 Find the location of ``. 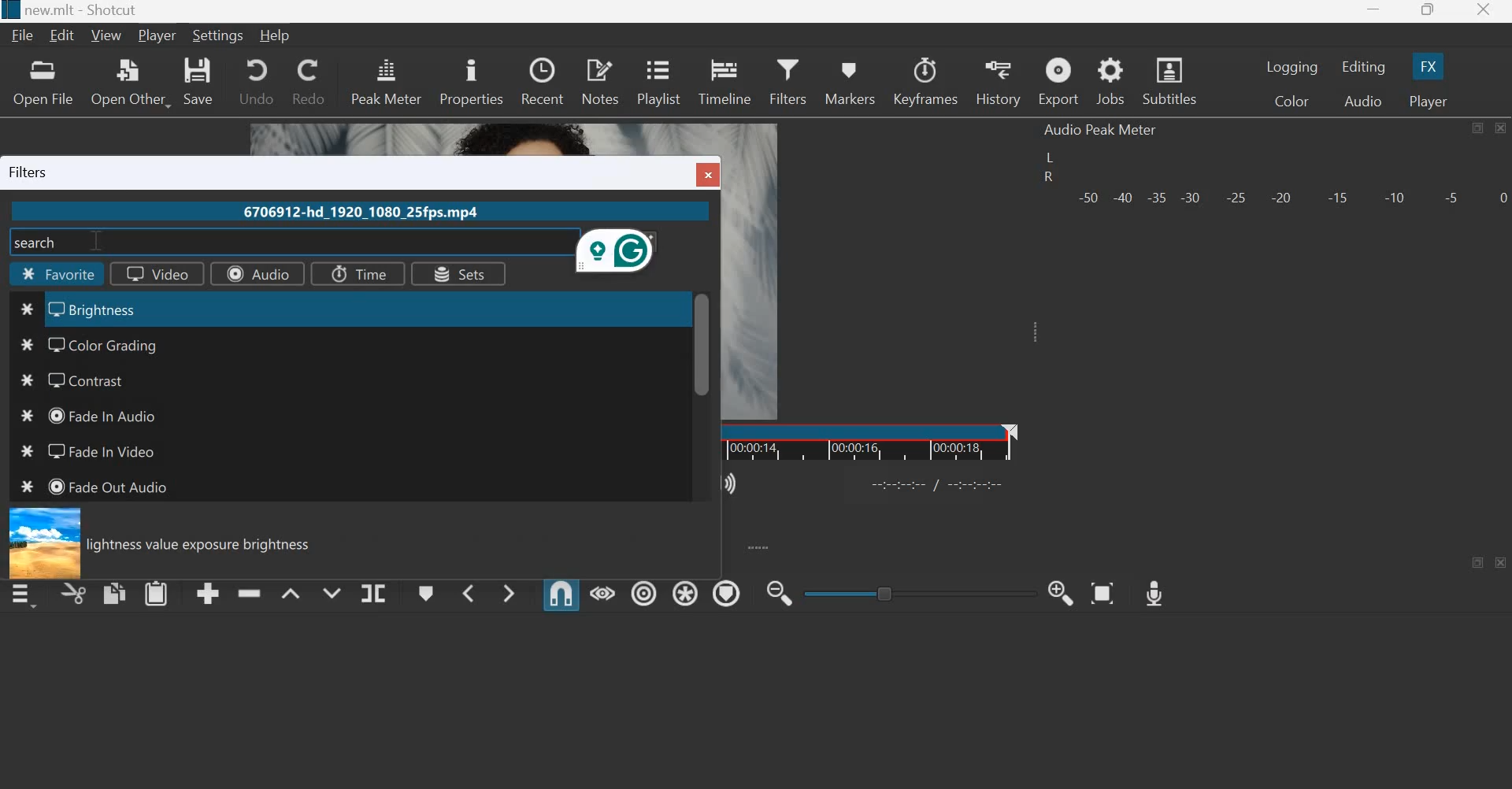

 is located at coordinates (939, 483).